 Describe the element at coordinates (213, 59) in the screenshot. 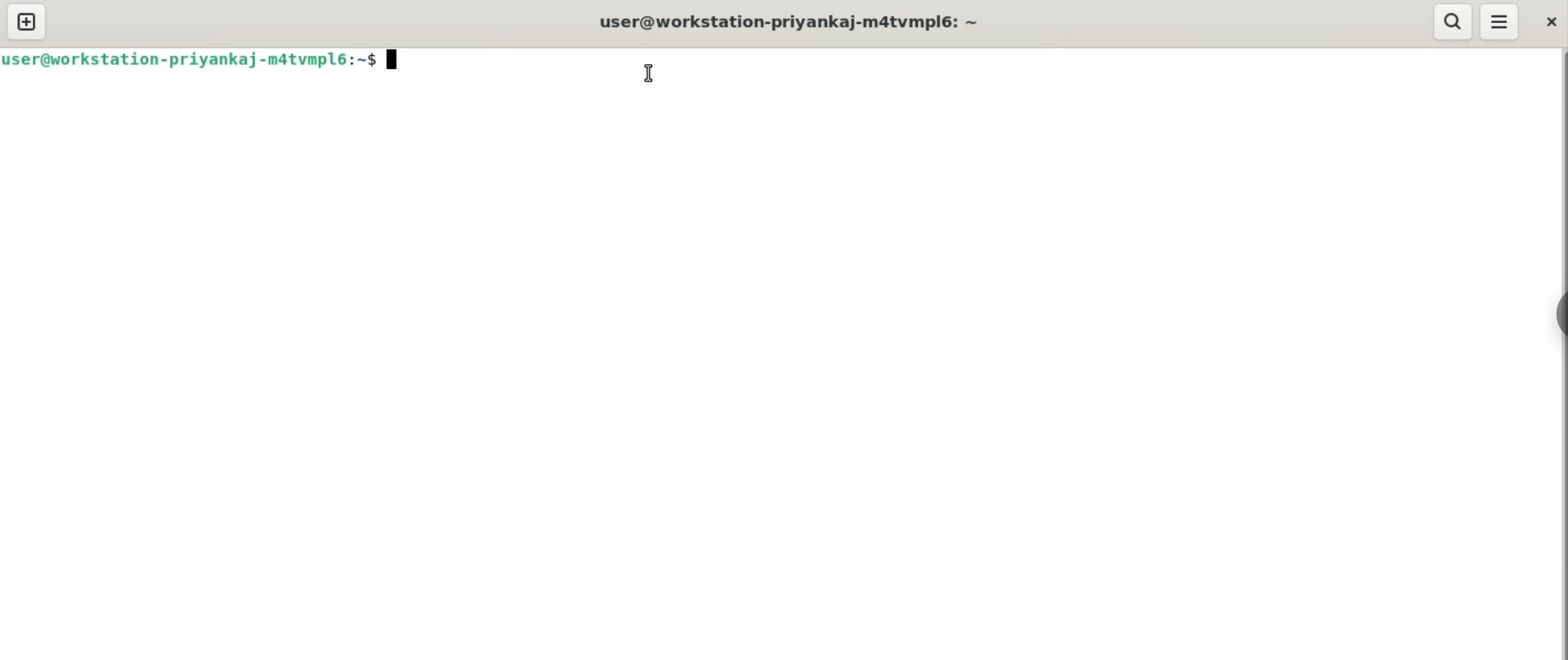

I see `user@workstation-priyankaj-matvmpl6:~$` at that location.